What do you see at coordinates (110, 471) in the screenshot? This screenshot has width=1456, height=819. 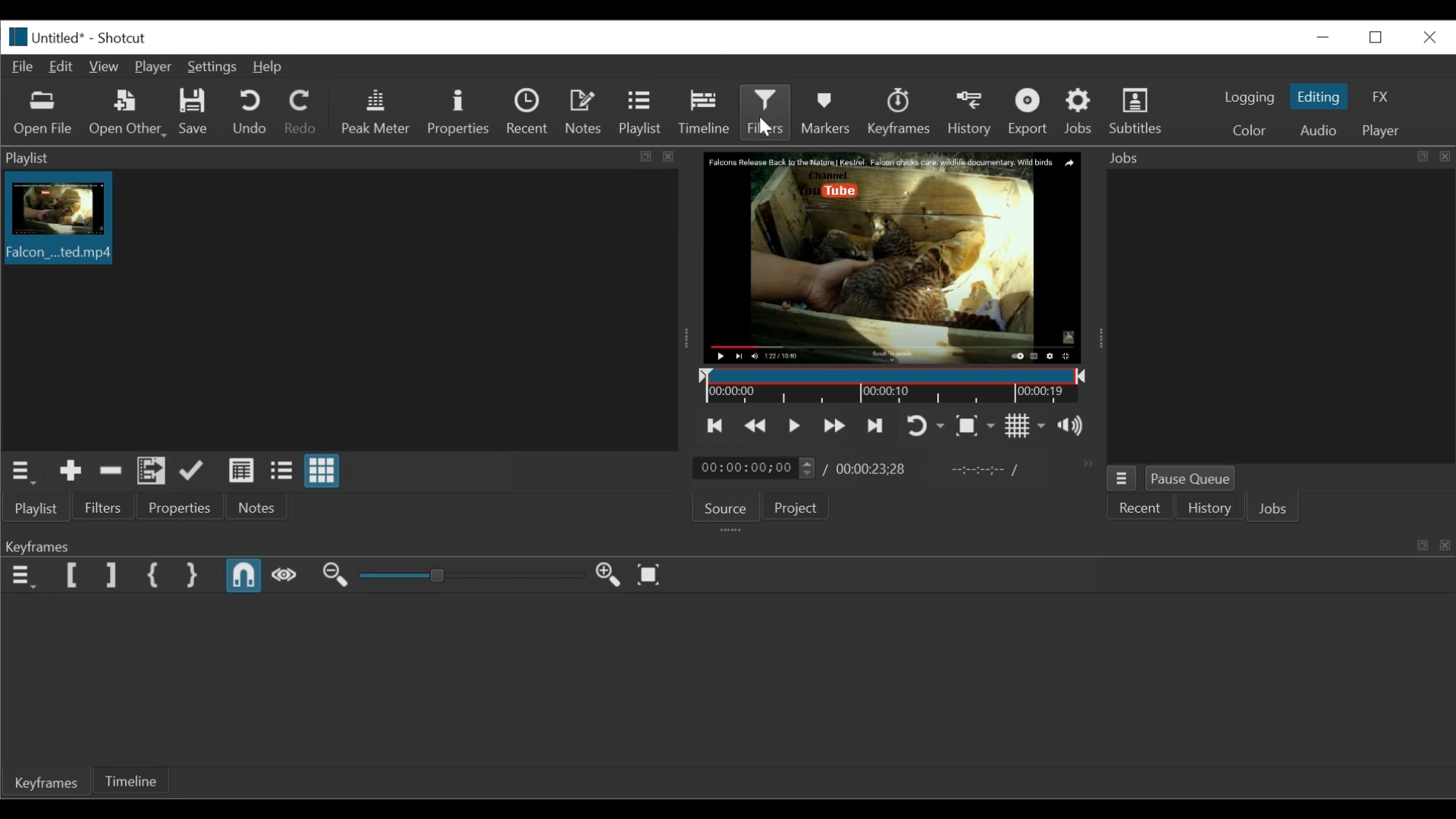 I see `Remove cut` at bounding box center [110, 471].